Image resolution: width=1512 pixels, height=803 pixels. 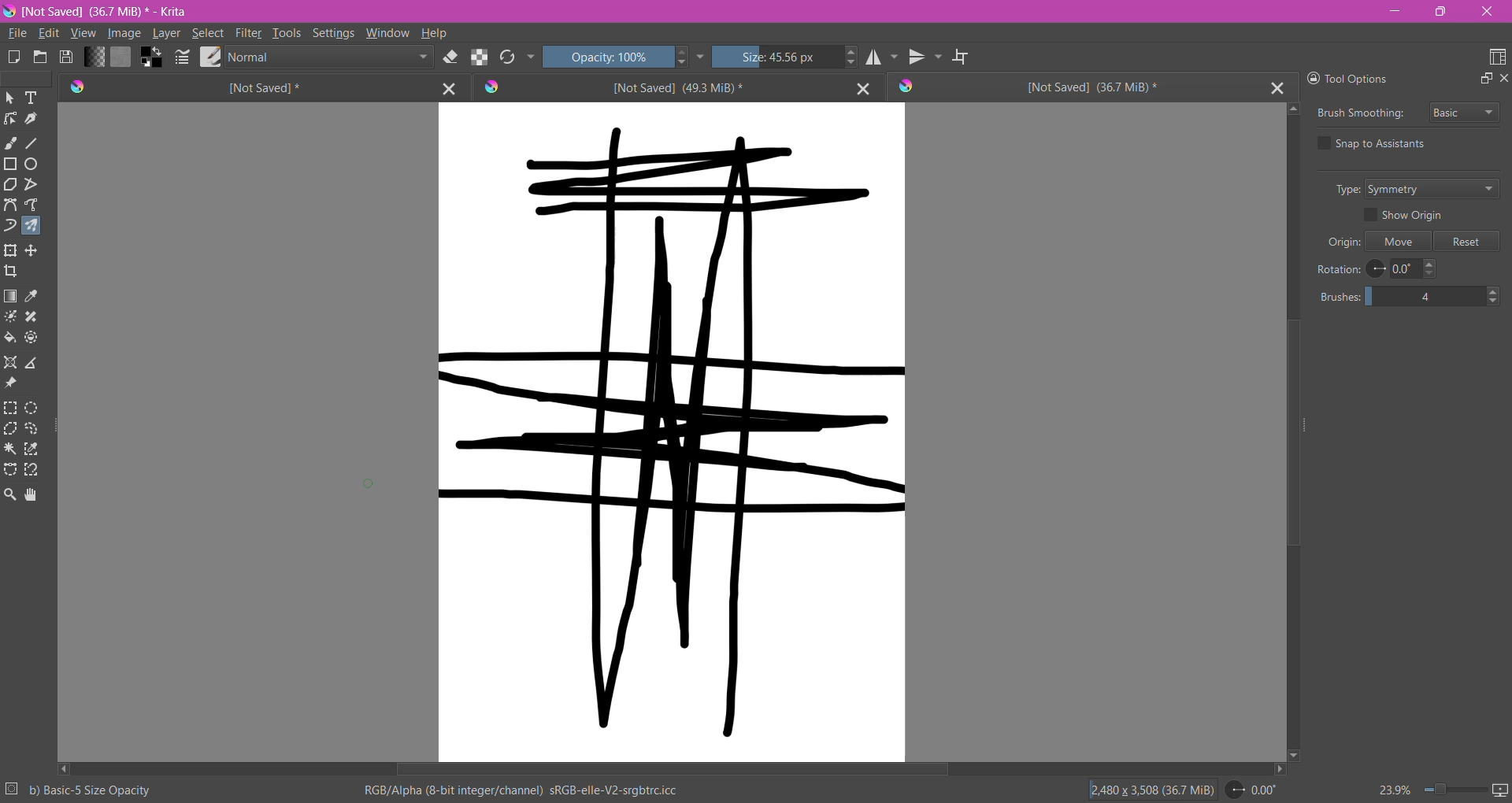 I want to click on Freehand Brush Tool, so click(x=11, y=142).